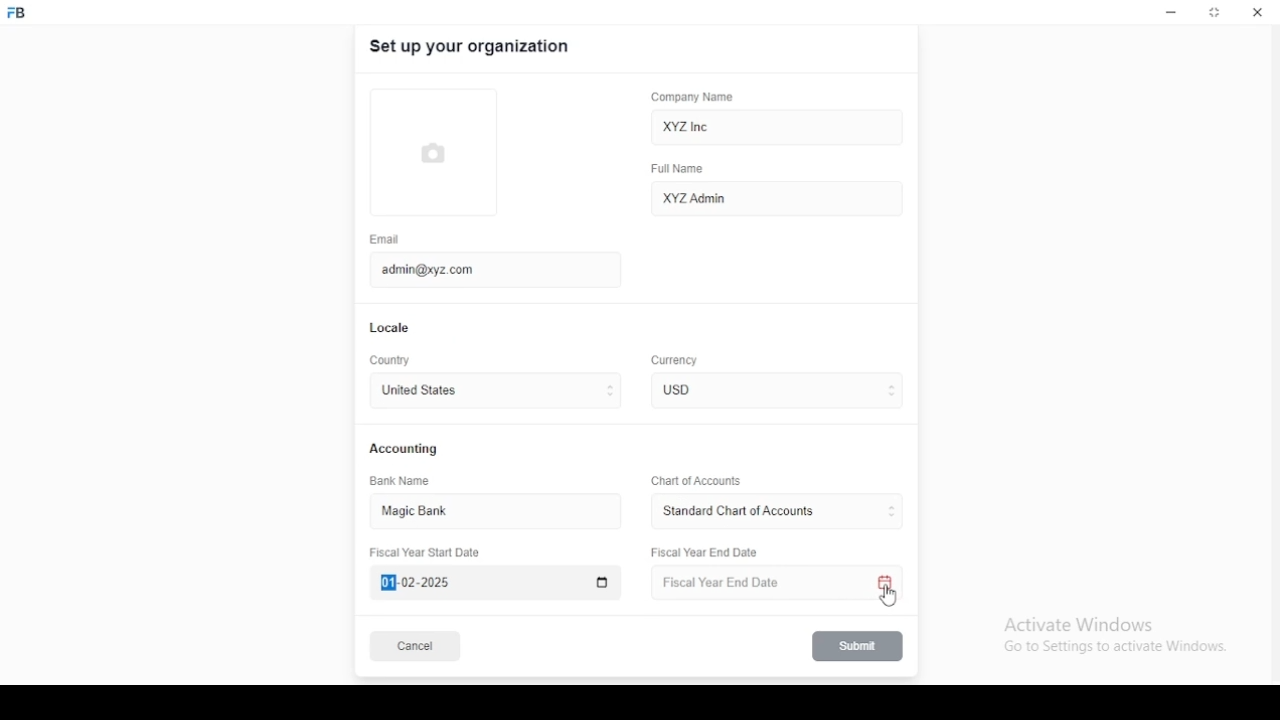  I want to click on united states, so click(418, 392).